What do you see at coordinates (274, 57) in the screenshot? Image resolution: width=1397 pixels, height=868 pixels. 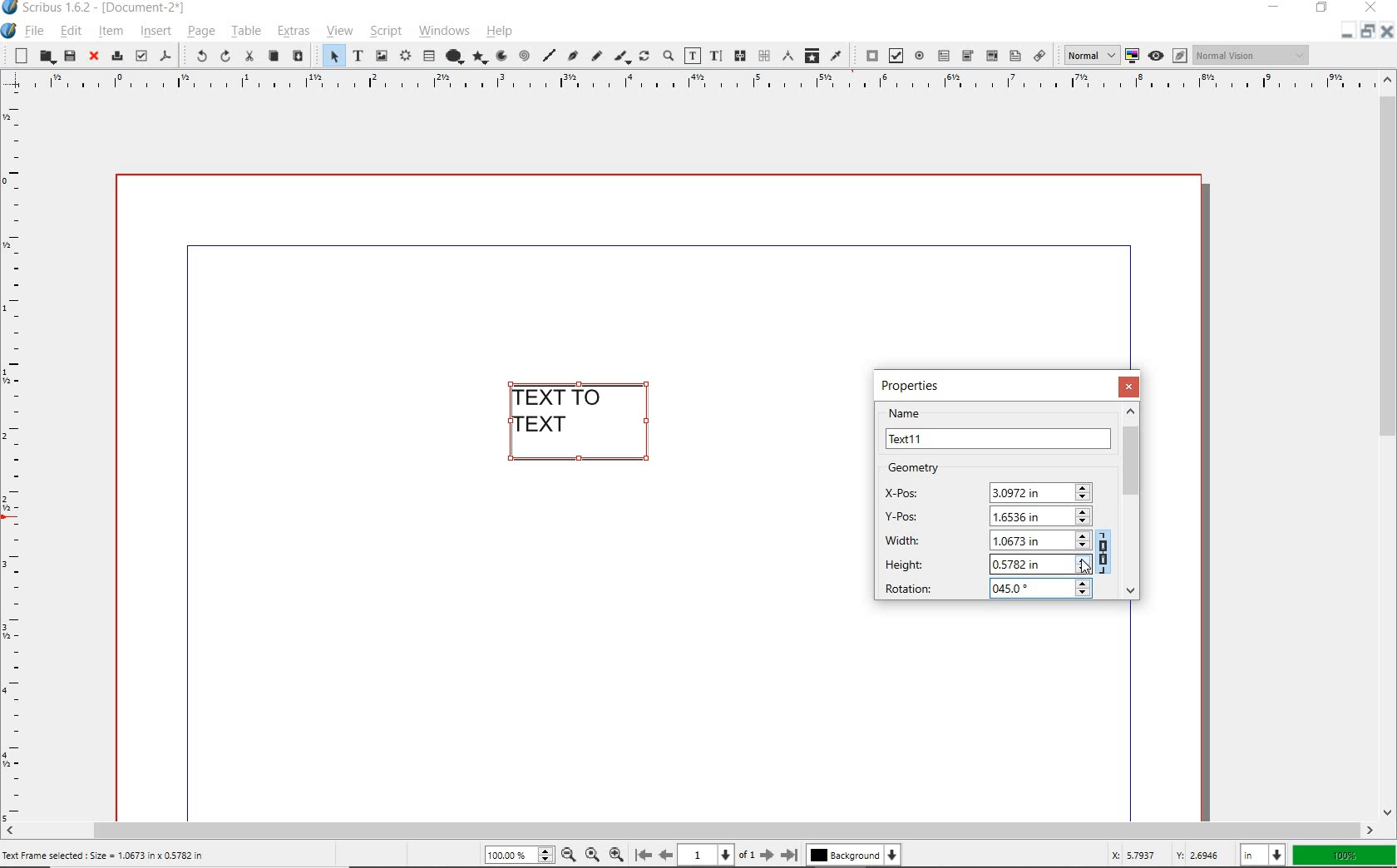 I see `copy` at bounding box center [274, 57].